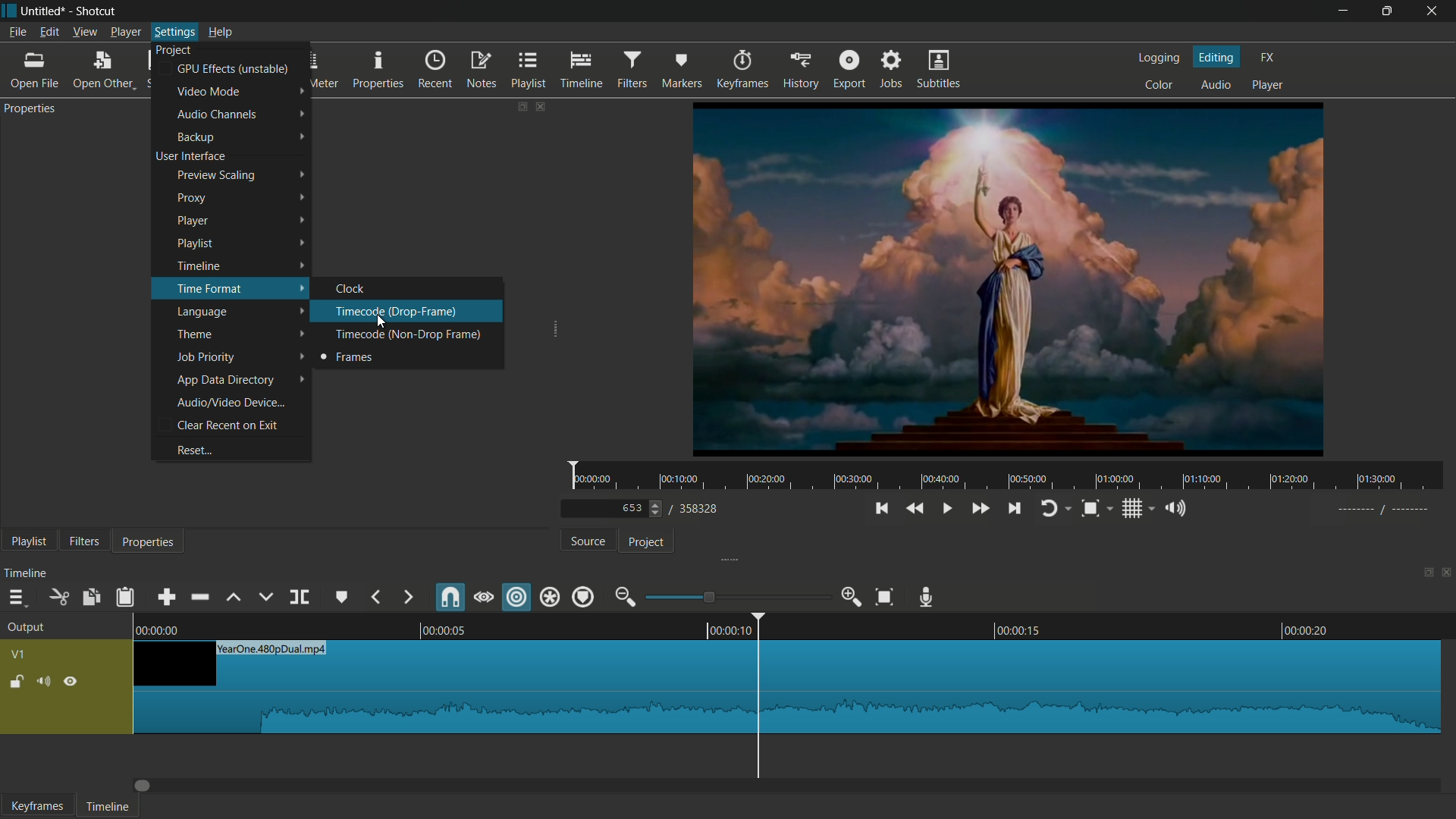 The image size is (1456, 819). I want to click on project name, so click(42, 11).